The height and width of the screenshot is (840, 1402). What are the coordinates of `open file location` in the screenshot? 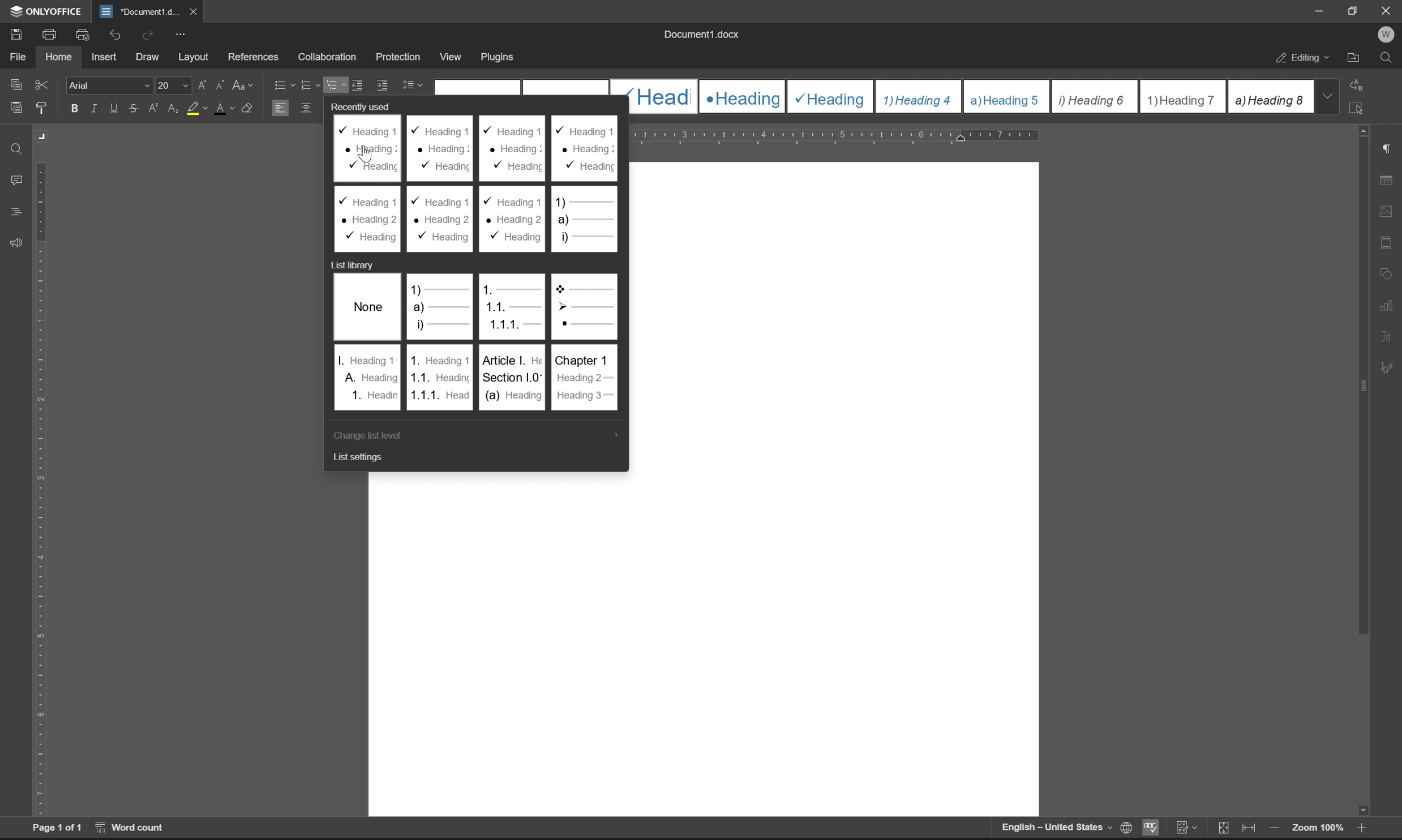 It's located at (1354, 59).